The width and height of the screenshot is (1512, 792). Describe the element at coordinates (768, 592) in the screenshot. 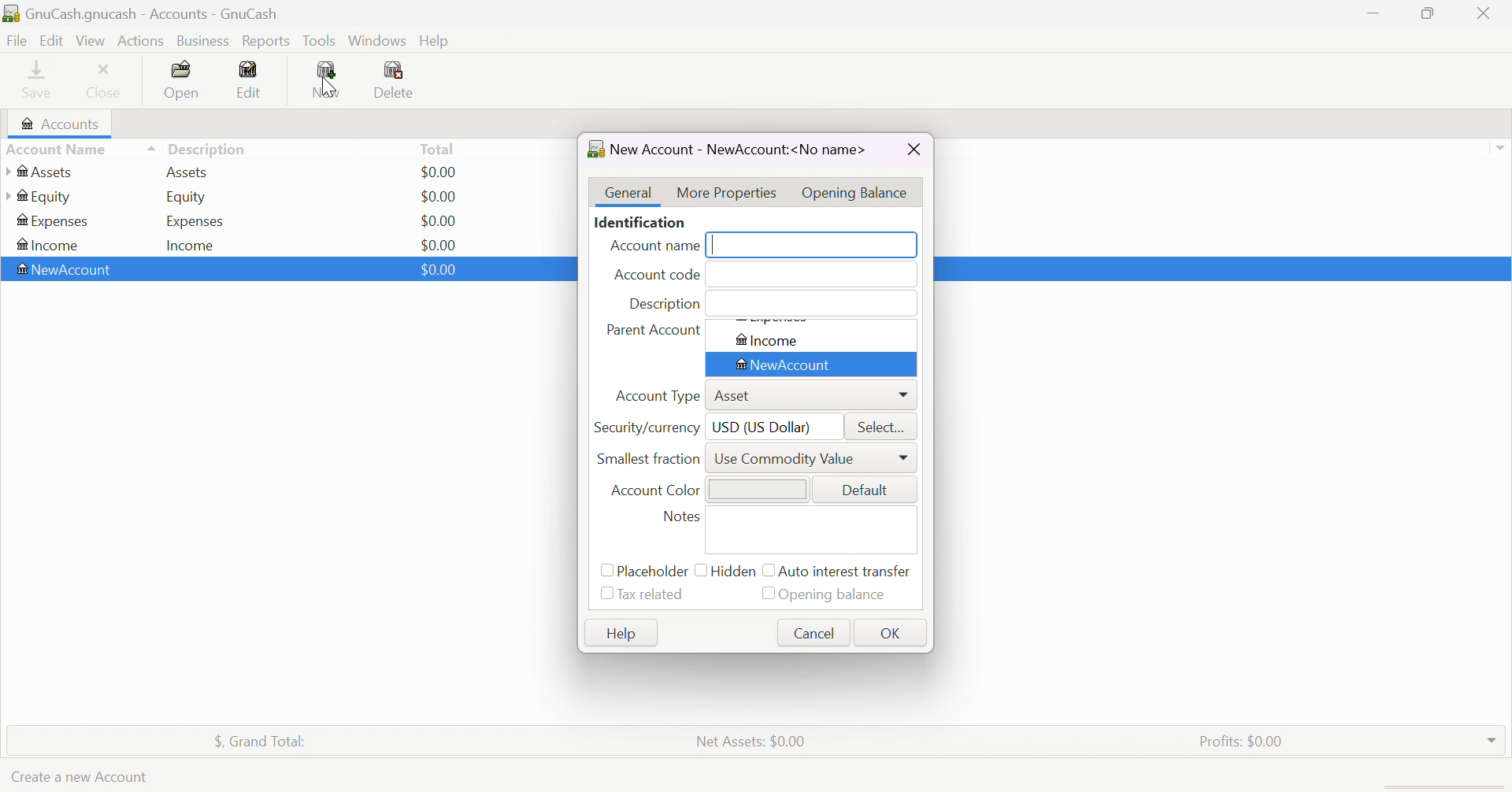

I see `Checkbox` at that location.